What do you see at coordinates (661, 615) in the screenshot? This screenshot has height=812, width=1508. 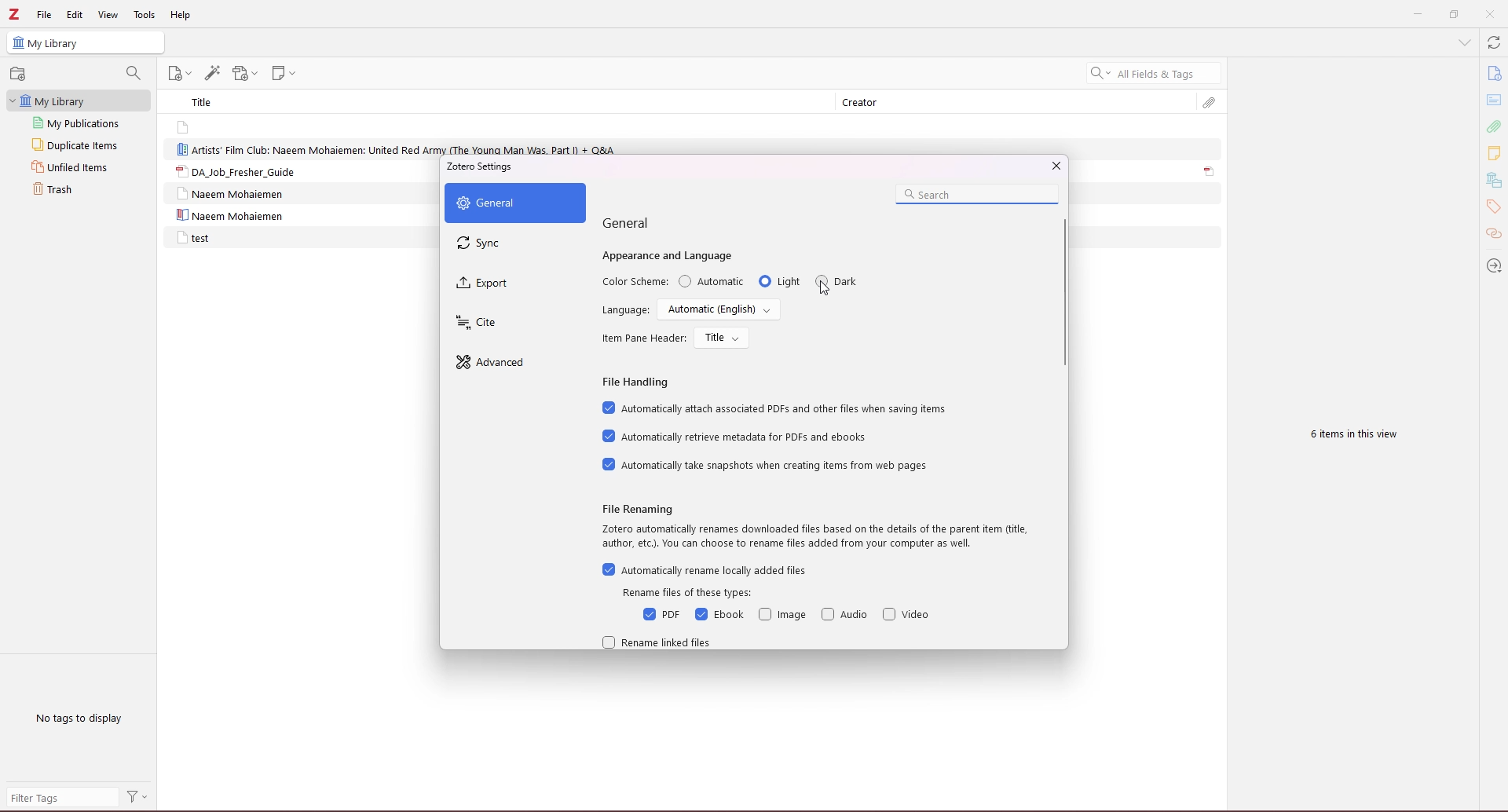 I see `pdf` at bounding box center [661, 615].